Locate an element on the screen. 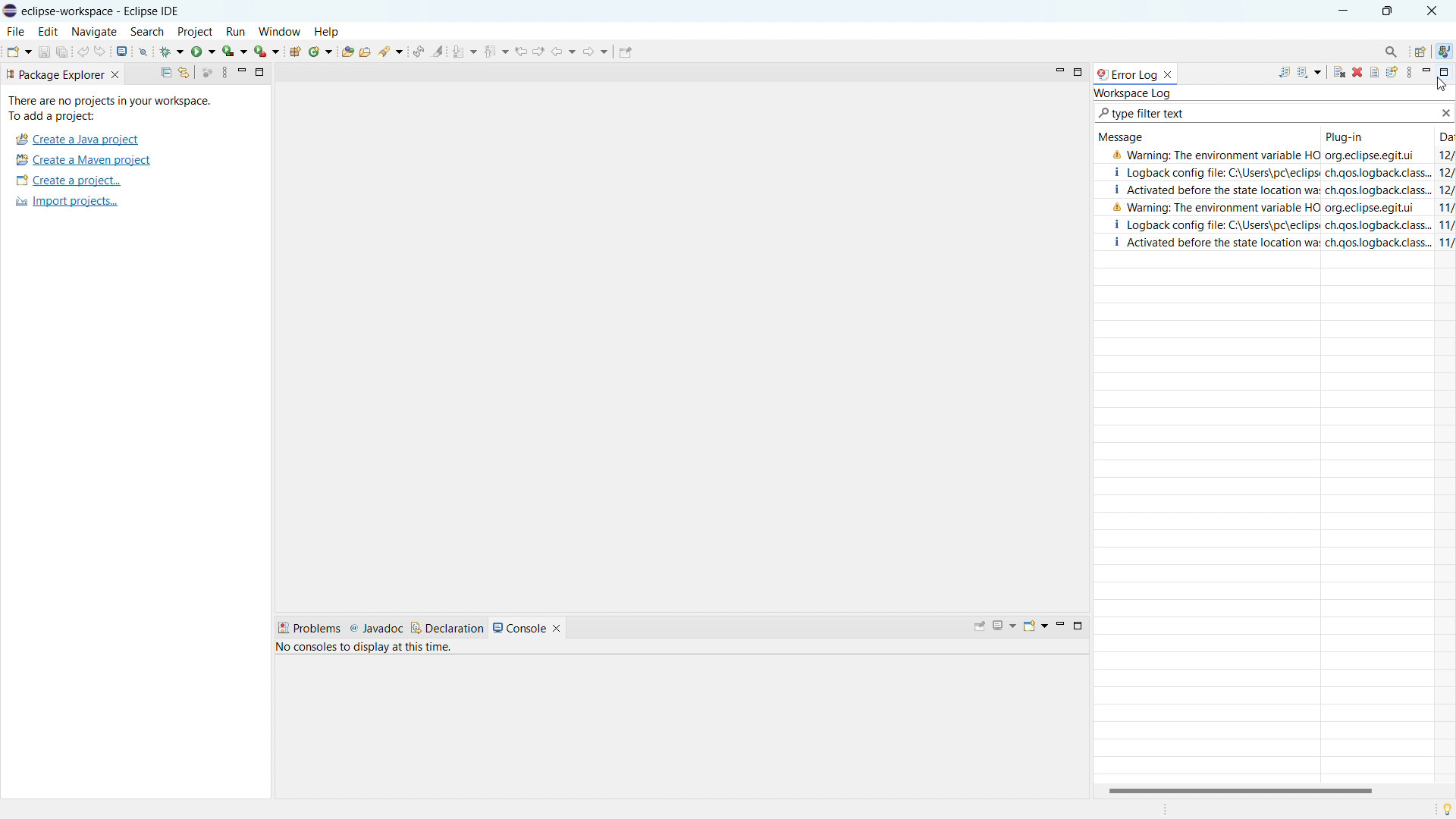 The width and height of the screenshot is (1456, 819). file is located at coordinates (14, 31).